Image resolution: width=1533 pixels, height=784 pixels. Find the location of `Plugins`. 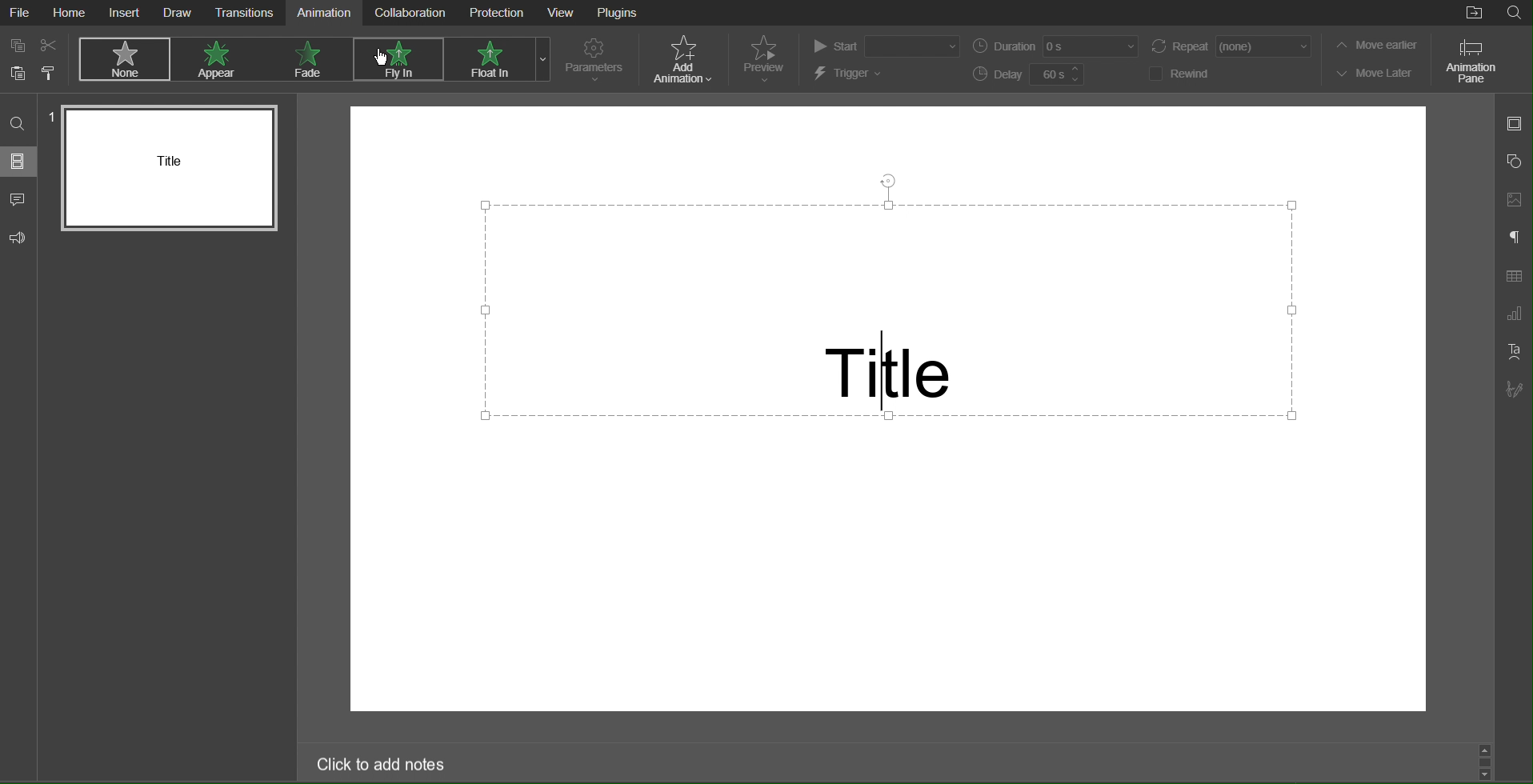

Plugins is located at coordinates (618, 14).